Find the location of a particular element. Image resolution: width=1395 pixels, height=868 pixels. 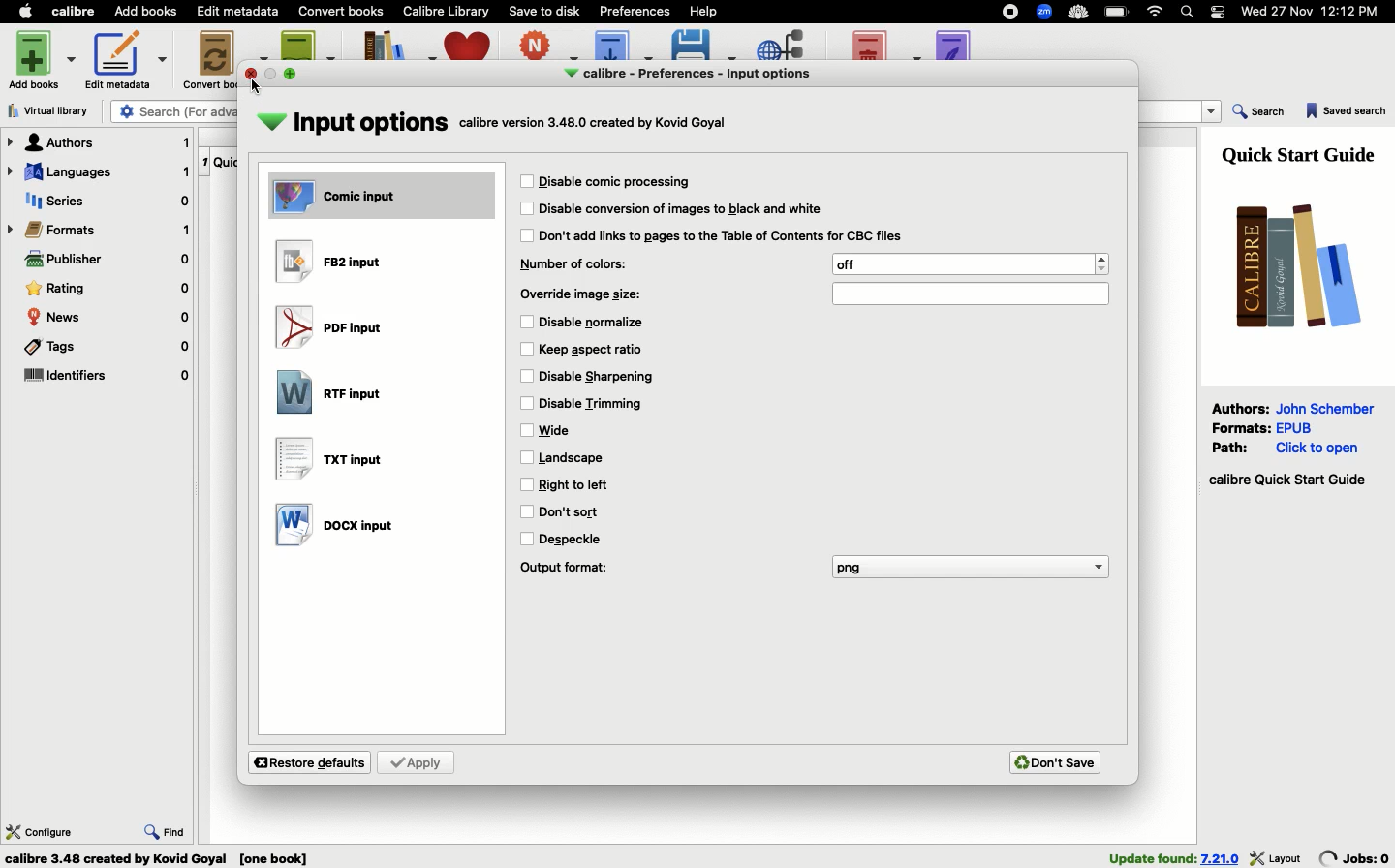

Disable is located at coordinates (599, 377).